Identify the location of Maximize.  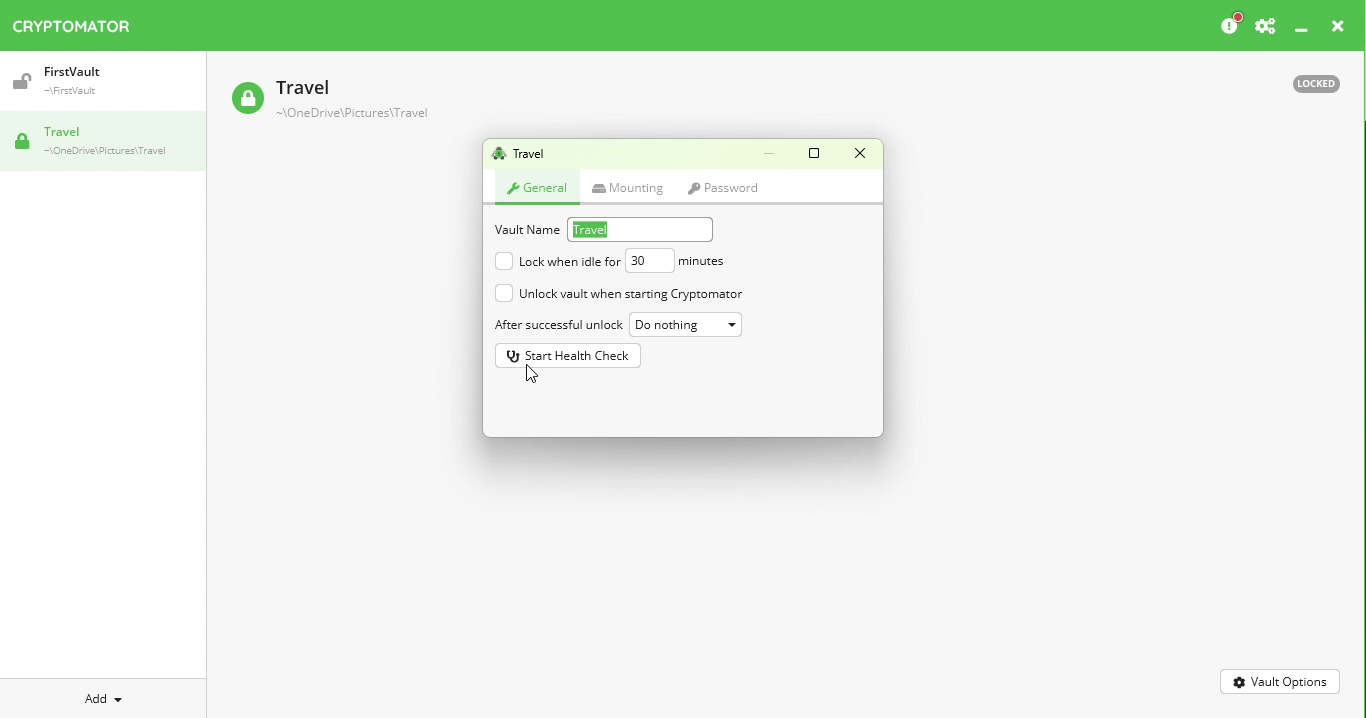
(812, 155).